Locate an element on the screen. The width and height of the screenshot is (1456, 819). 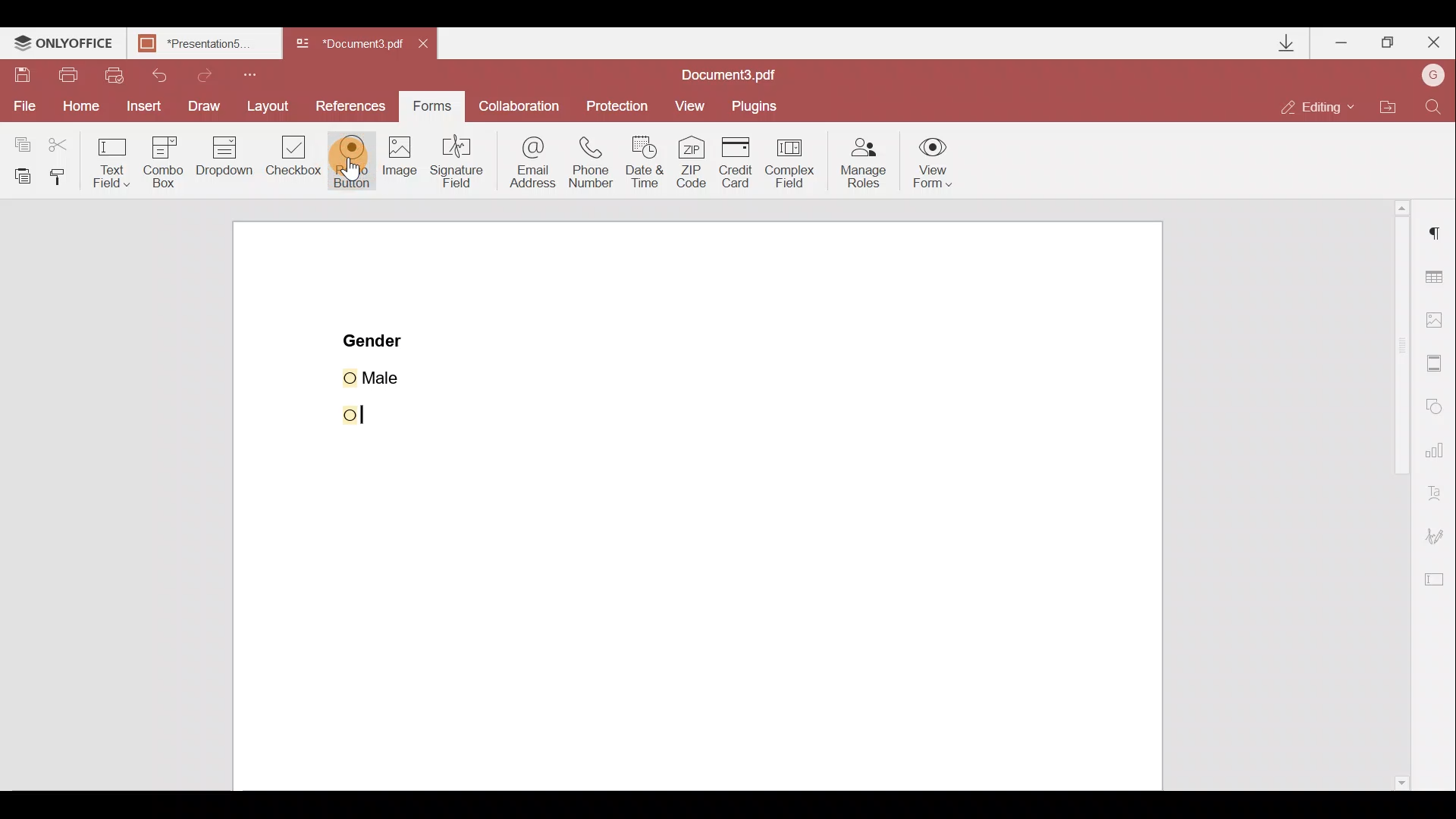
ZIP code is located at coordinates (692, 162).